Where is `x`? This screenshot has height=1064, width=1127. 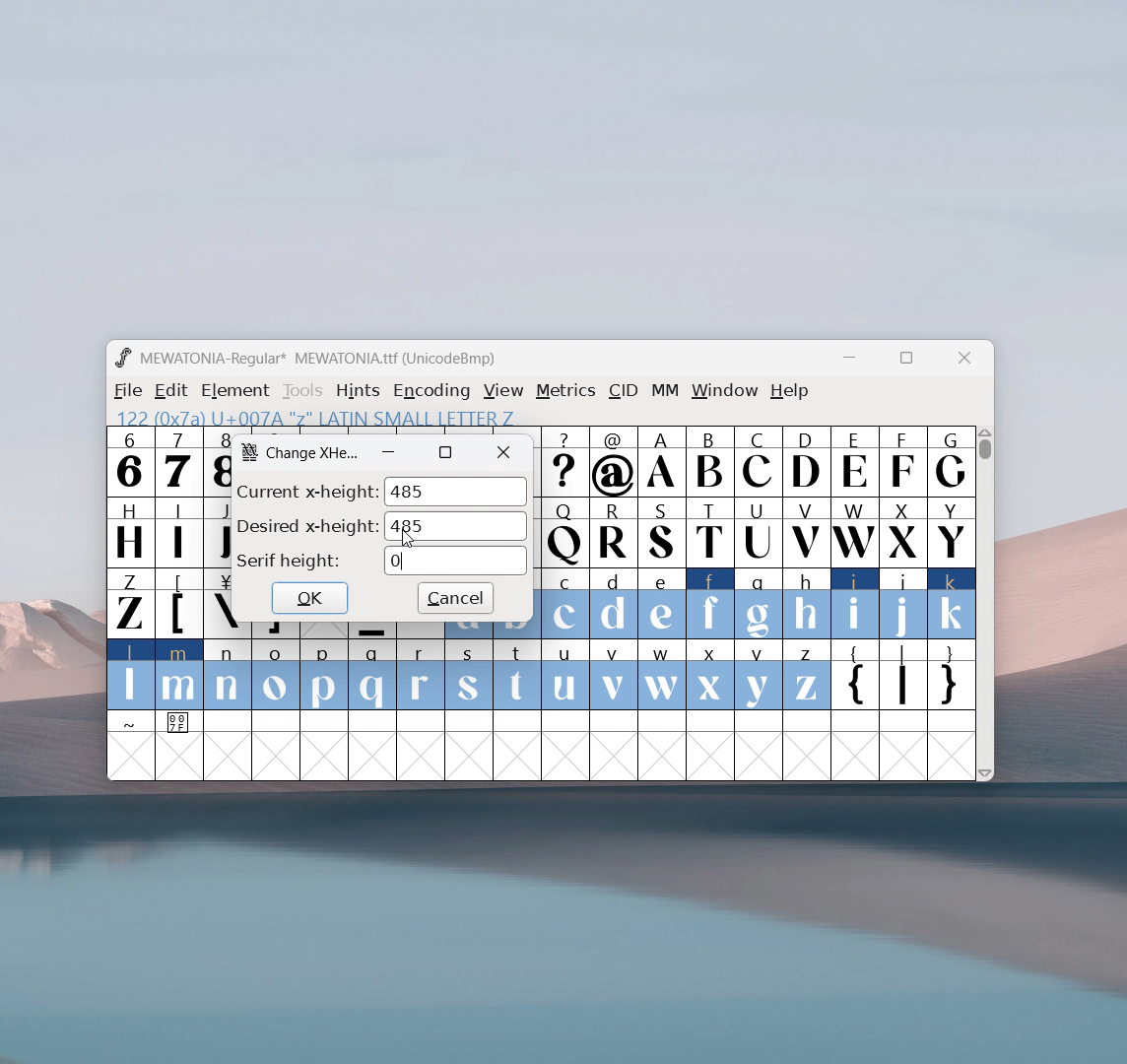
x is located at coordinates (711, 674).